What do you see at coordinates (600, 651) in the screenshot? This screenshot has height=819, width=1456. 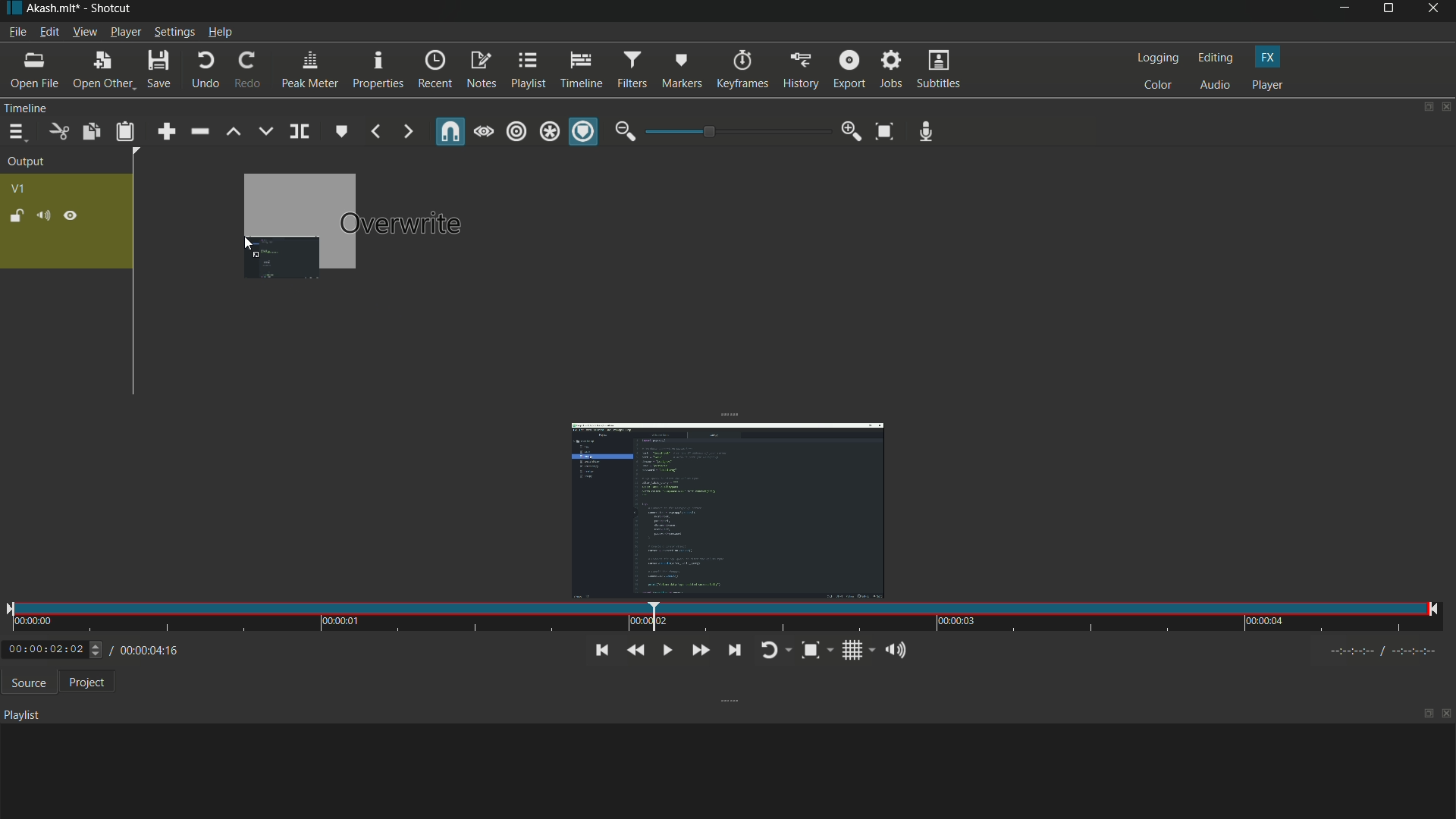 I see `skip to the previous point` at bounding box center [600, 651].